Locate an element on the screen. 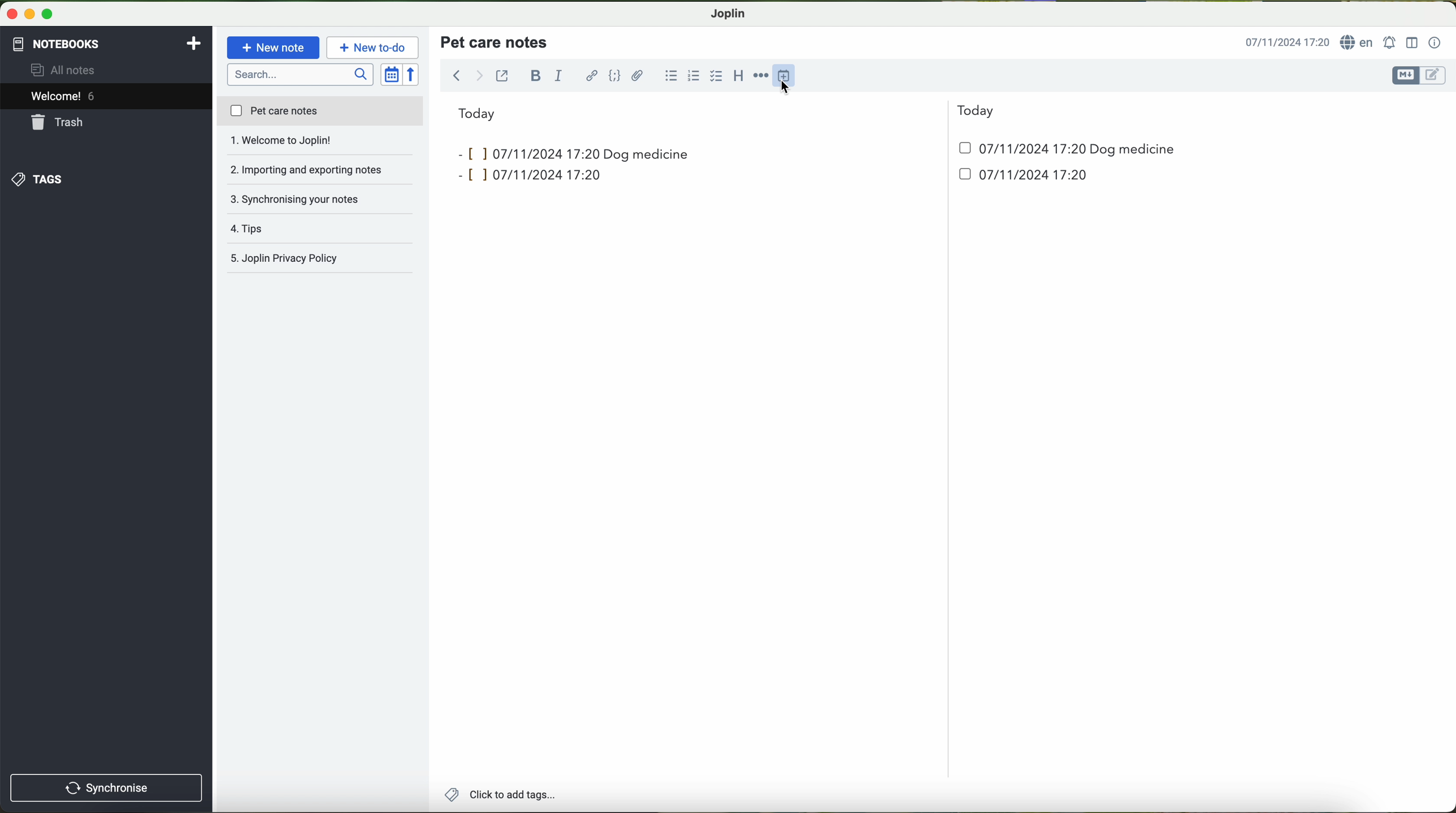 The image size is (1456, 813). language is located at coordinates (1359, 43).